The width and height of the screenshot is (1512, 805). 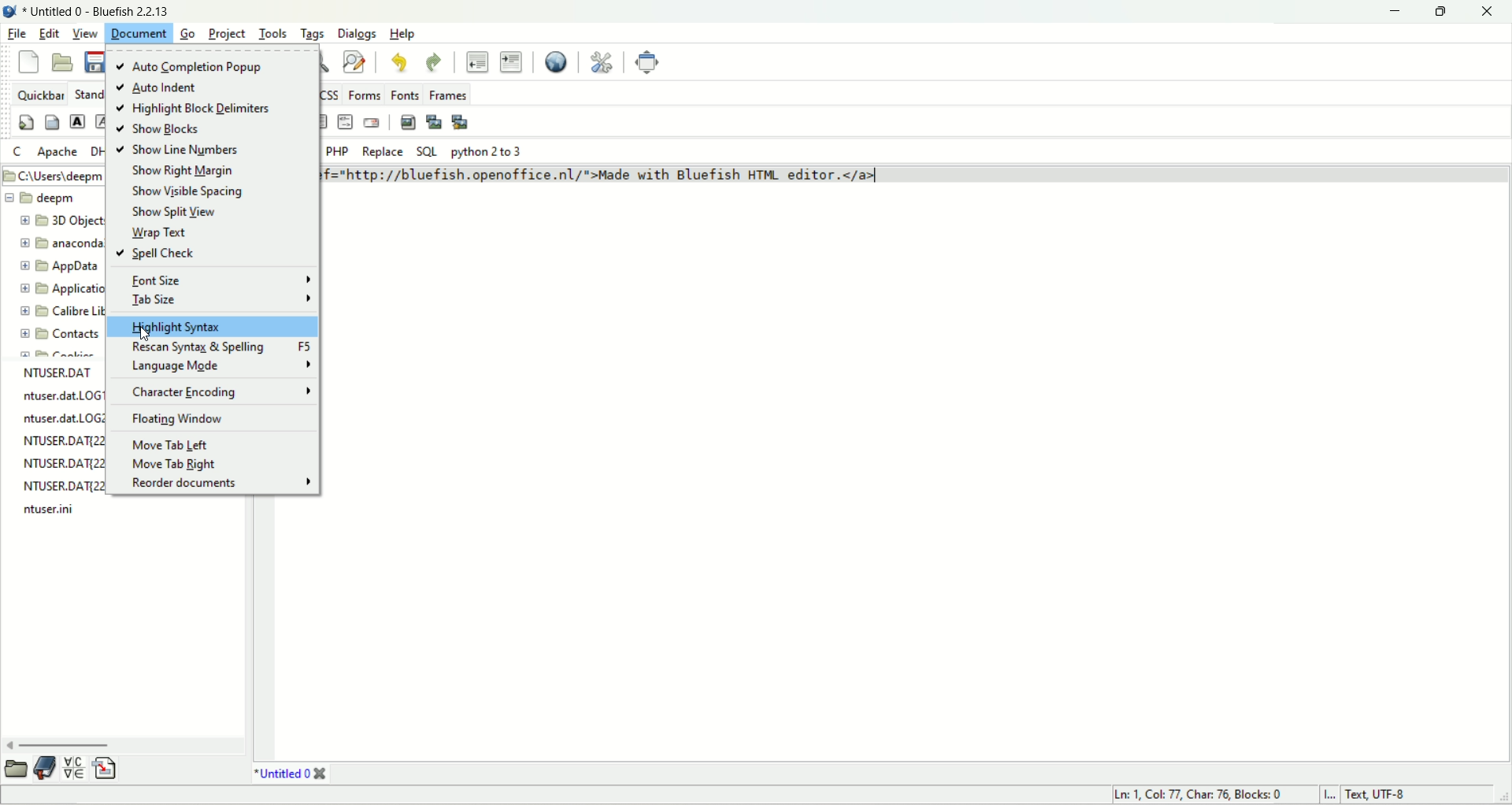 What do you see at coordinates (13, 13) in the screenshot?
I see `logo` at bounding box center [13, 13].